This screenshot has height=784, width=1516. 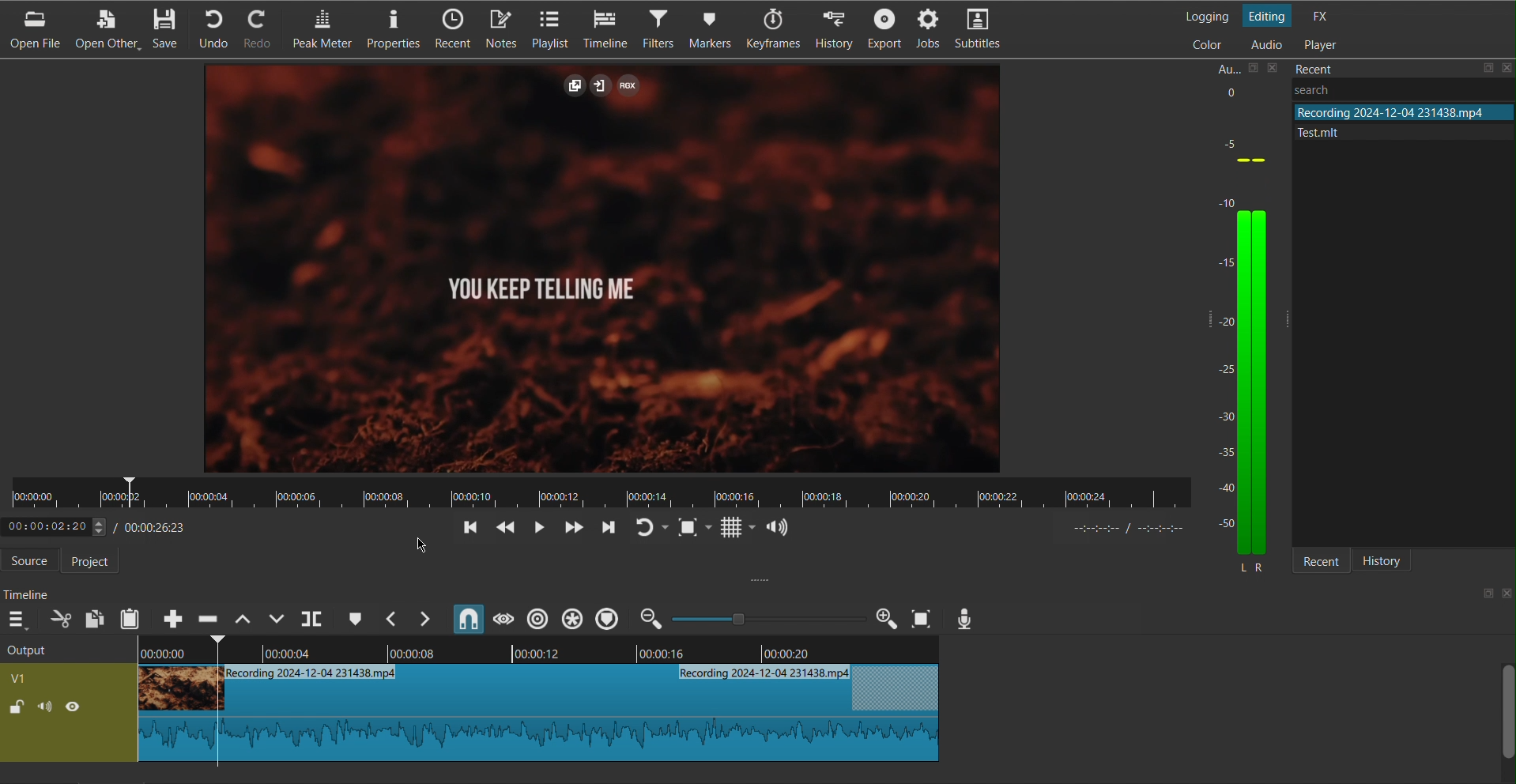 What do you see at coordinates (466, 617) in the screenshot?
I see `Snap` at bounding box center [466, 617].